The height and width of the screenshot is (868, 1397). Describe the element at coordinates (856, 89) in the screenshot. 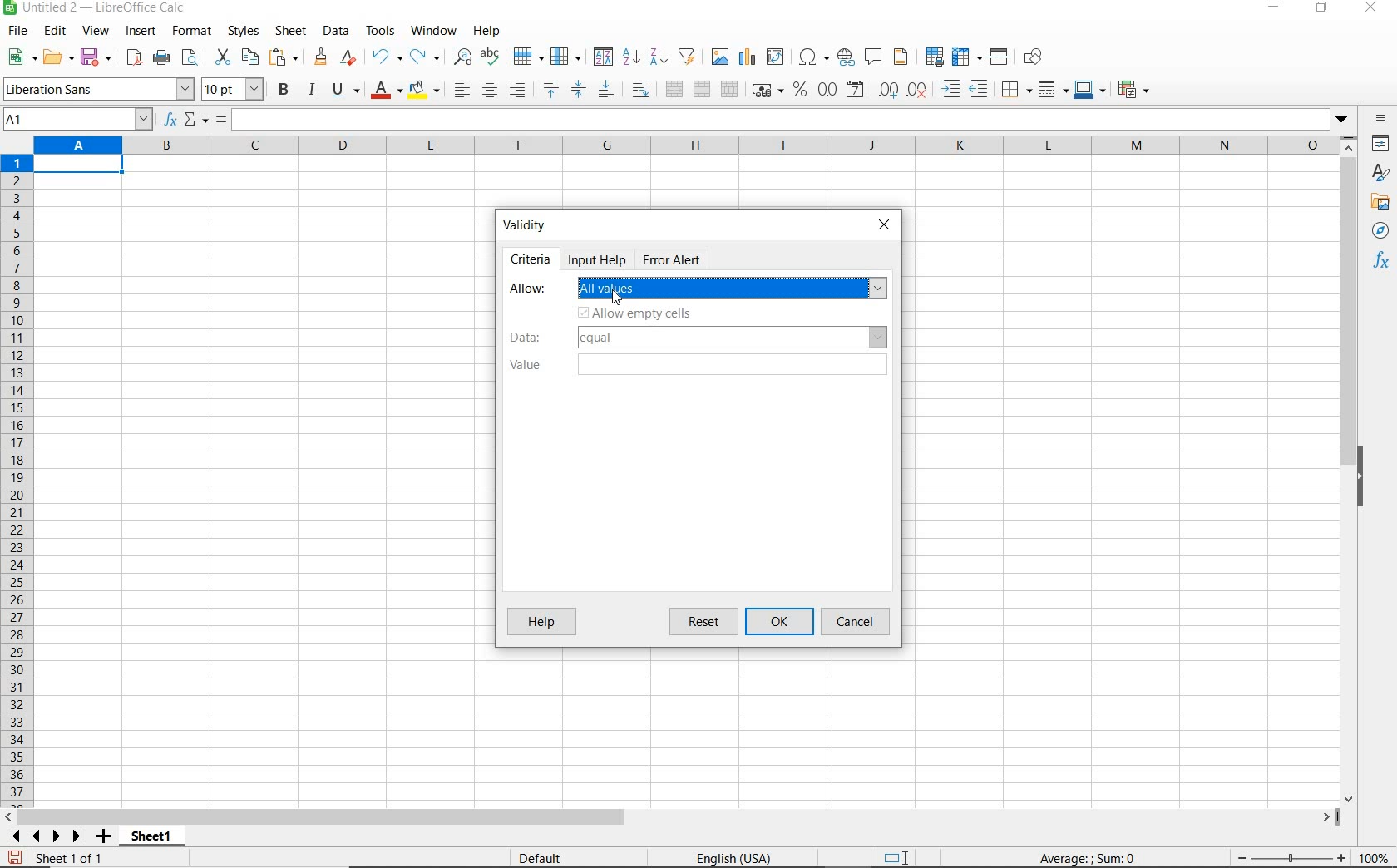

I see `format as date` at that location.